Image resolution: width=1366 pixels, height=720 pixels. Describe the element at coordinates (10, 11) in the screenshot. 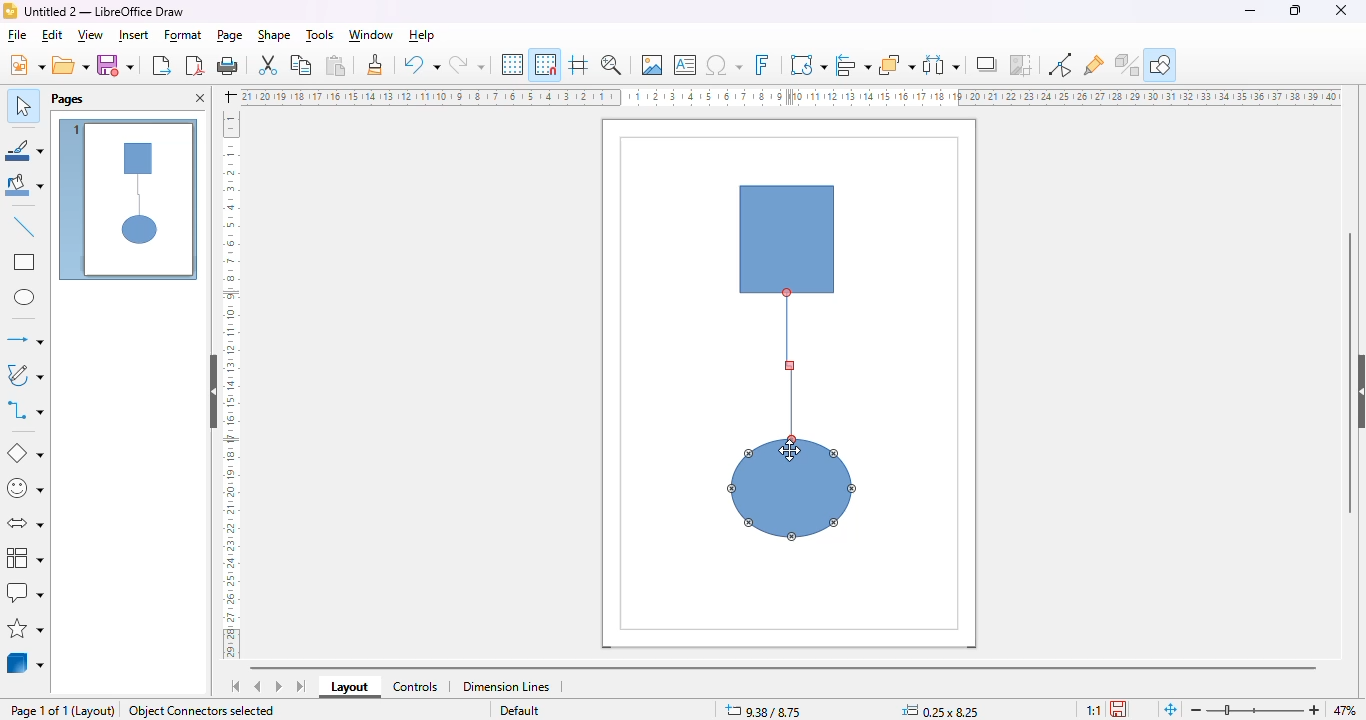

I see `logo` at that location.